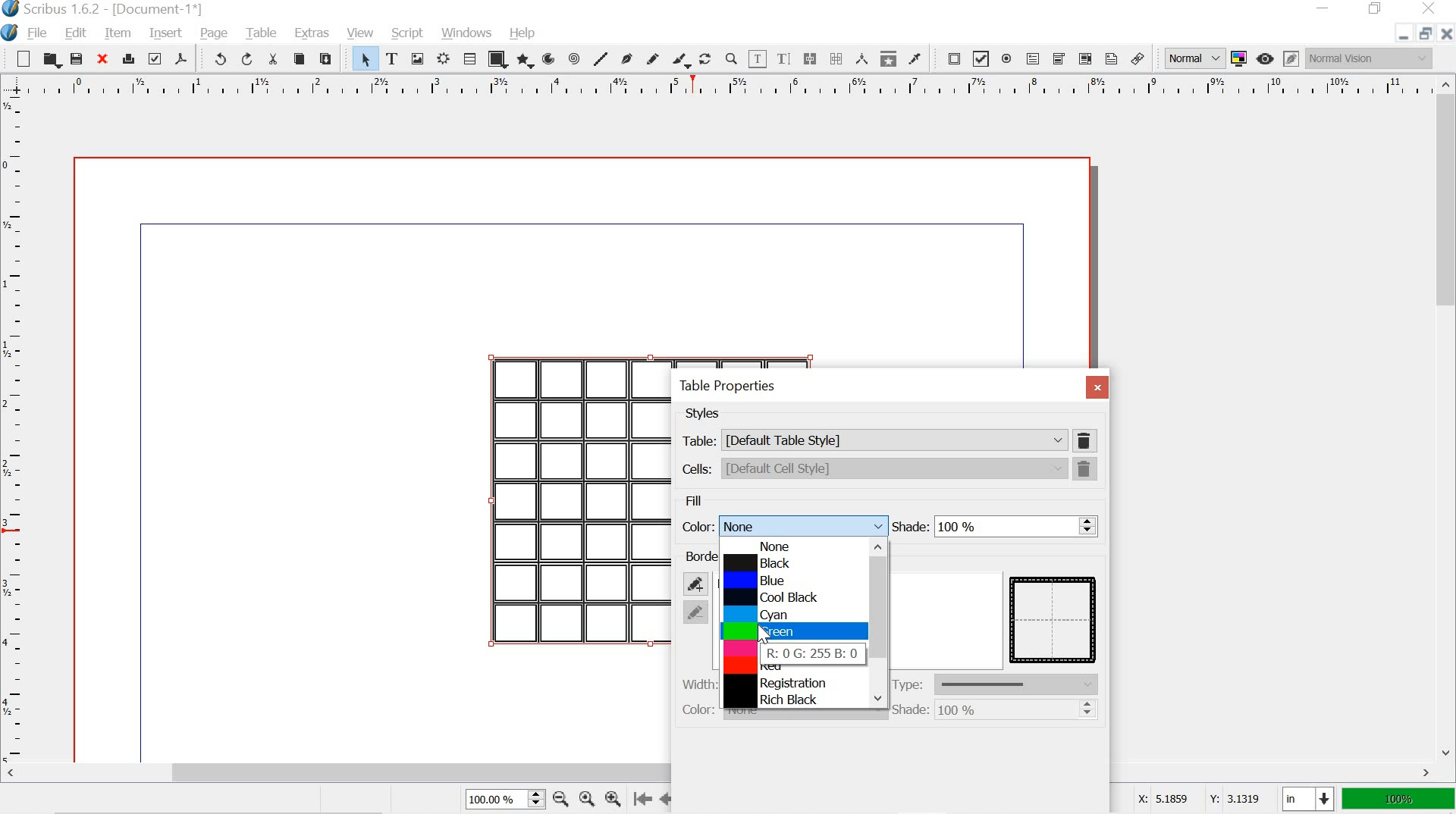 This screenshot has width=1456, height=814. Describe the element at coordinates (1088, 711) in the screenshot. I see `shade change` at that location.